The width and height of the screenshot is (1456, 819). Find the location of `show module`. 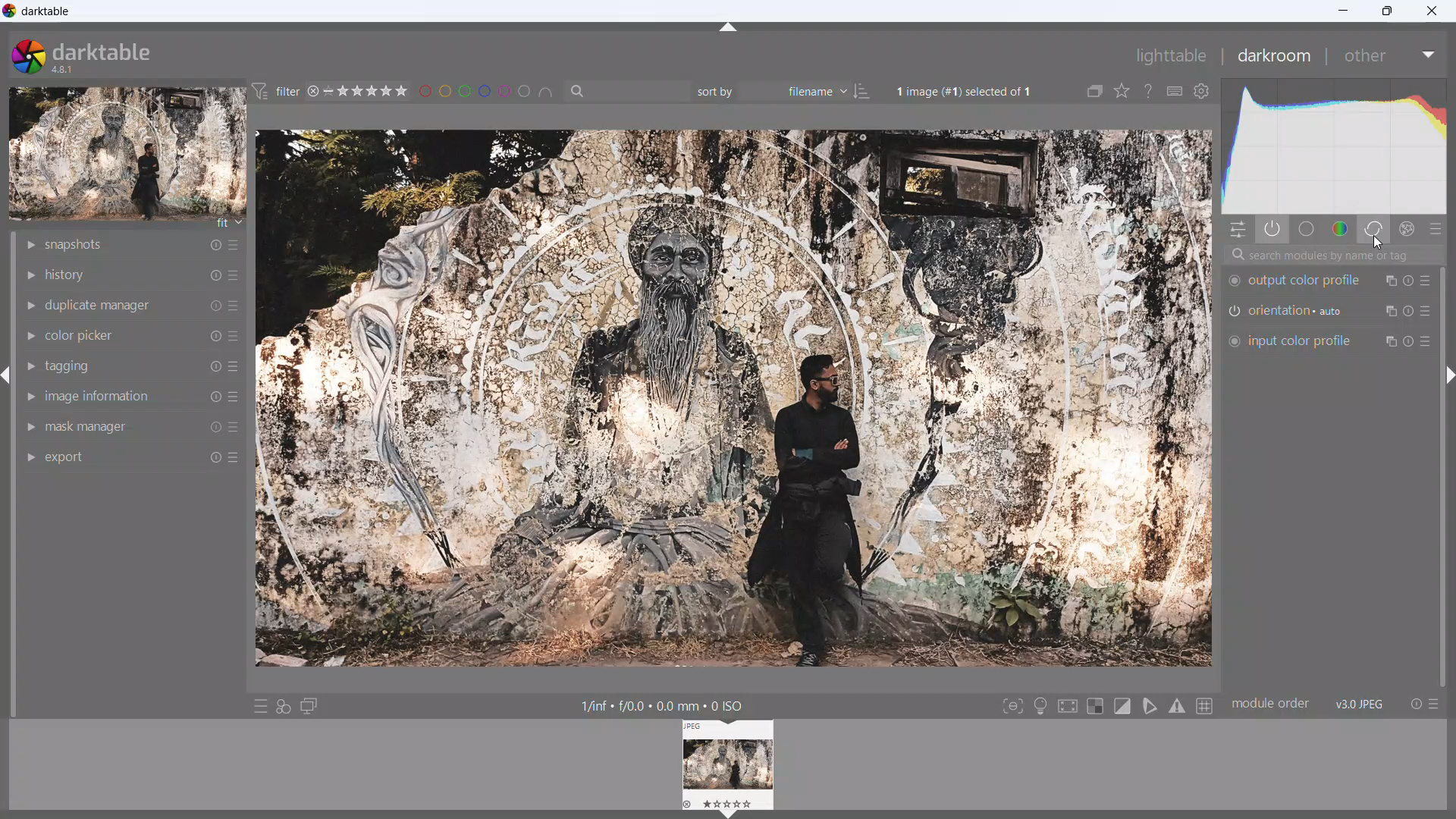

show module is located at coordinates (33, 306).